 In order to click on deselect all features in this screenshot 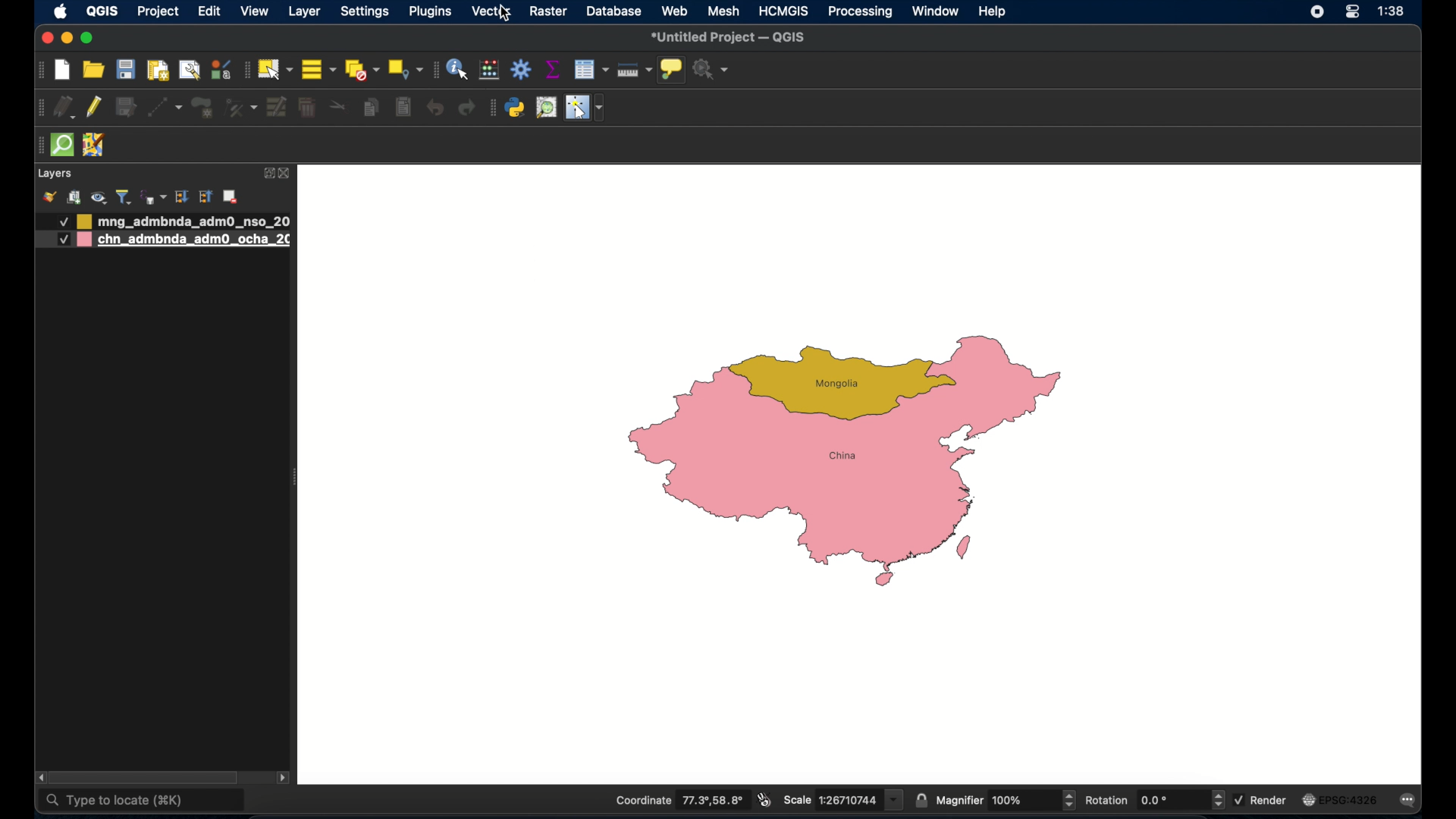, I will do `click(360, 70)`.